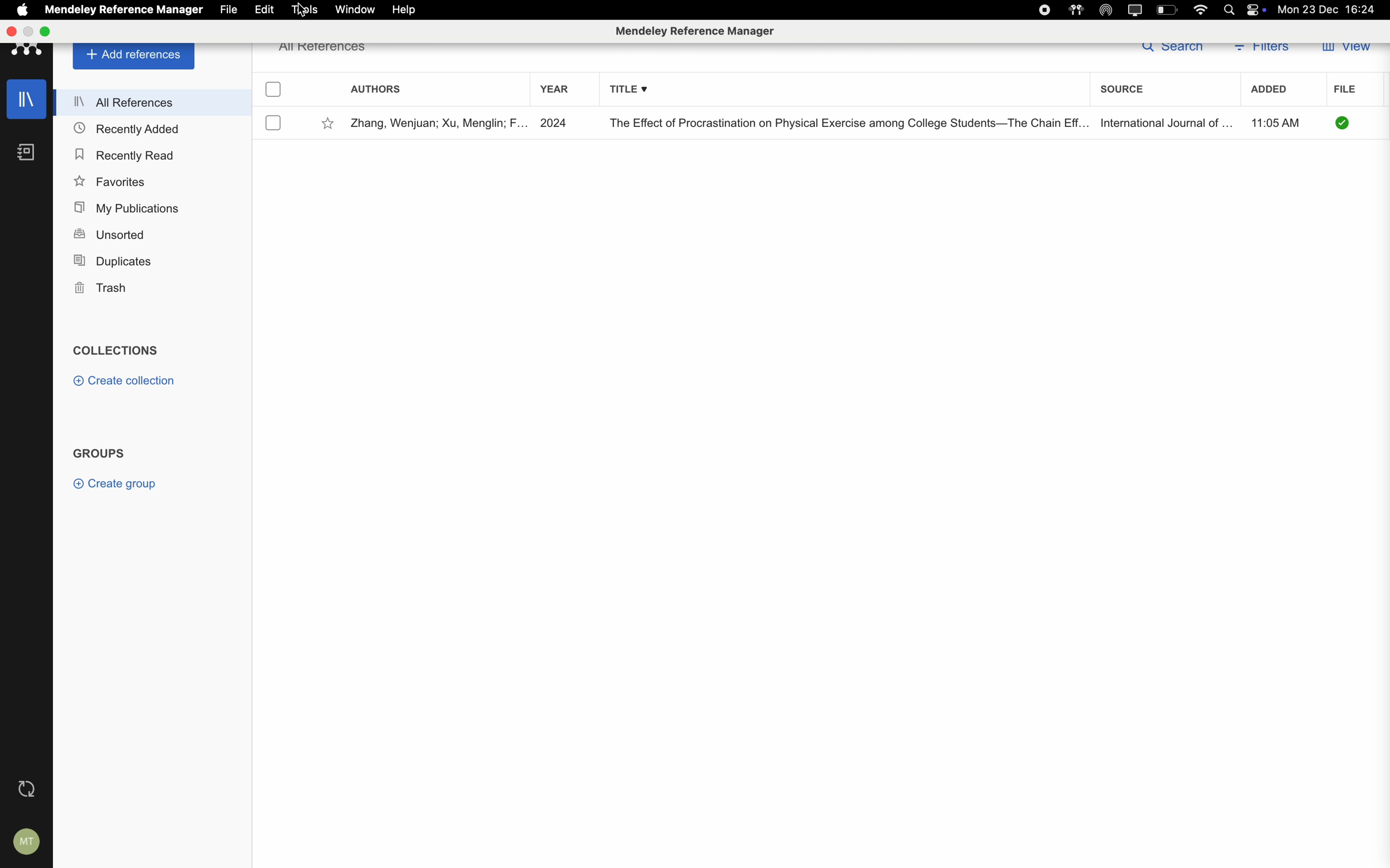 This screenshot has height=868, width=1390. What do you see at coordinates (124, 154) in the screenshot?
I see `recently read` at bounding box center [124, 154].